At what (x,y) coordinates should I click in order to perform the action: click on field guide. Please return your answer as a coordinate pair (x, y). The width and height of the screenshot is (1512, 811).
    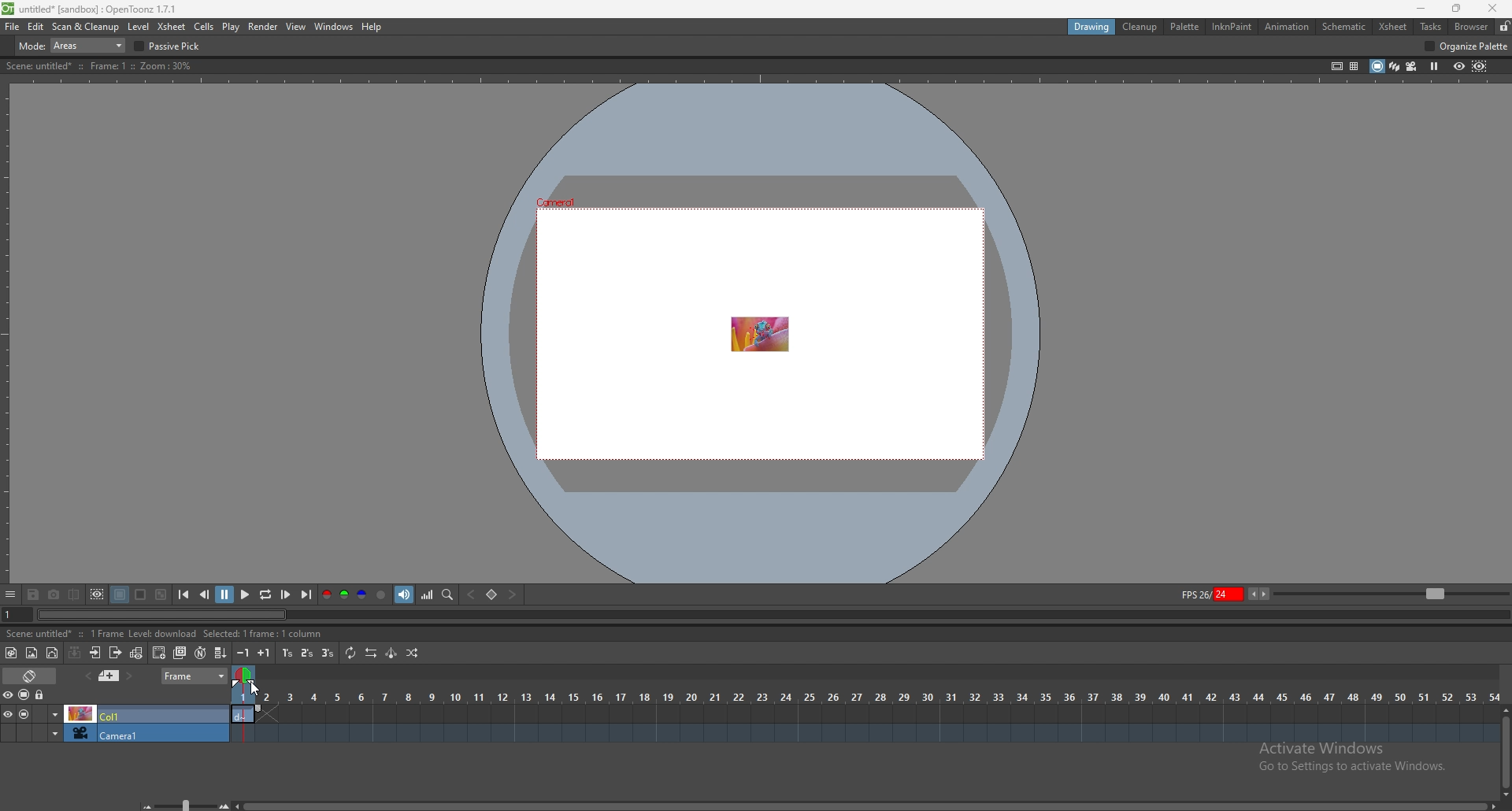
    Looking at the image, I should click on (1354, 67).